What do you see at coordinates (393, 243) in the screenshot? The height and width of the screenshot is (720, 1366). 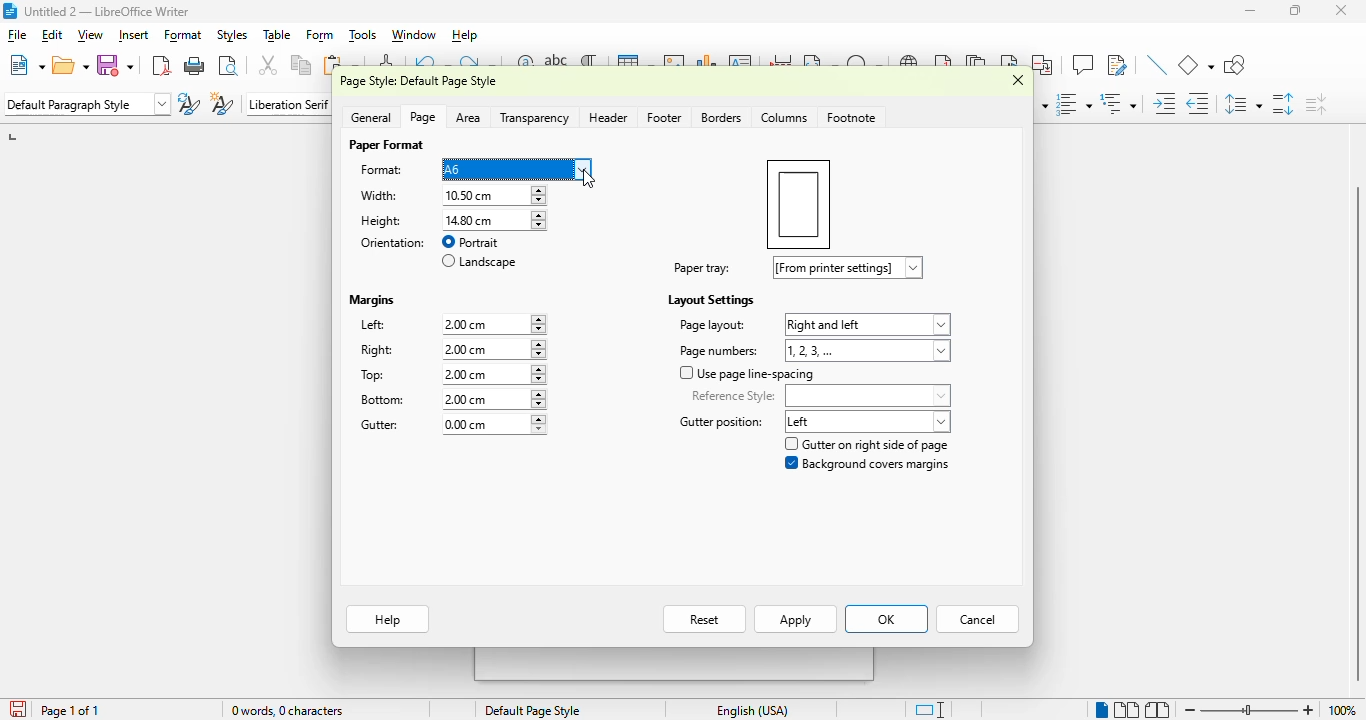 I see `orientation` at bounding box center [393, 243].